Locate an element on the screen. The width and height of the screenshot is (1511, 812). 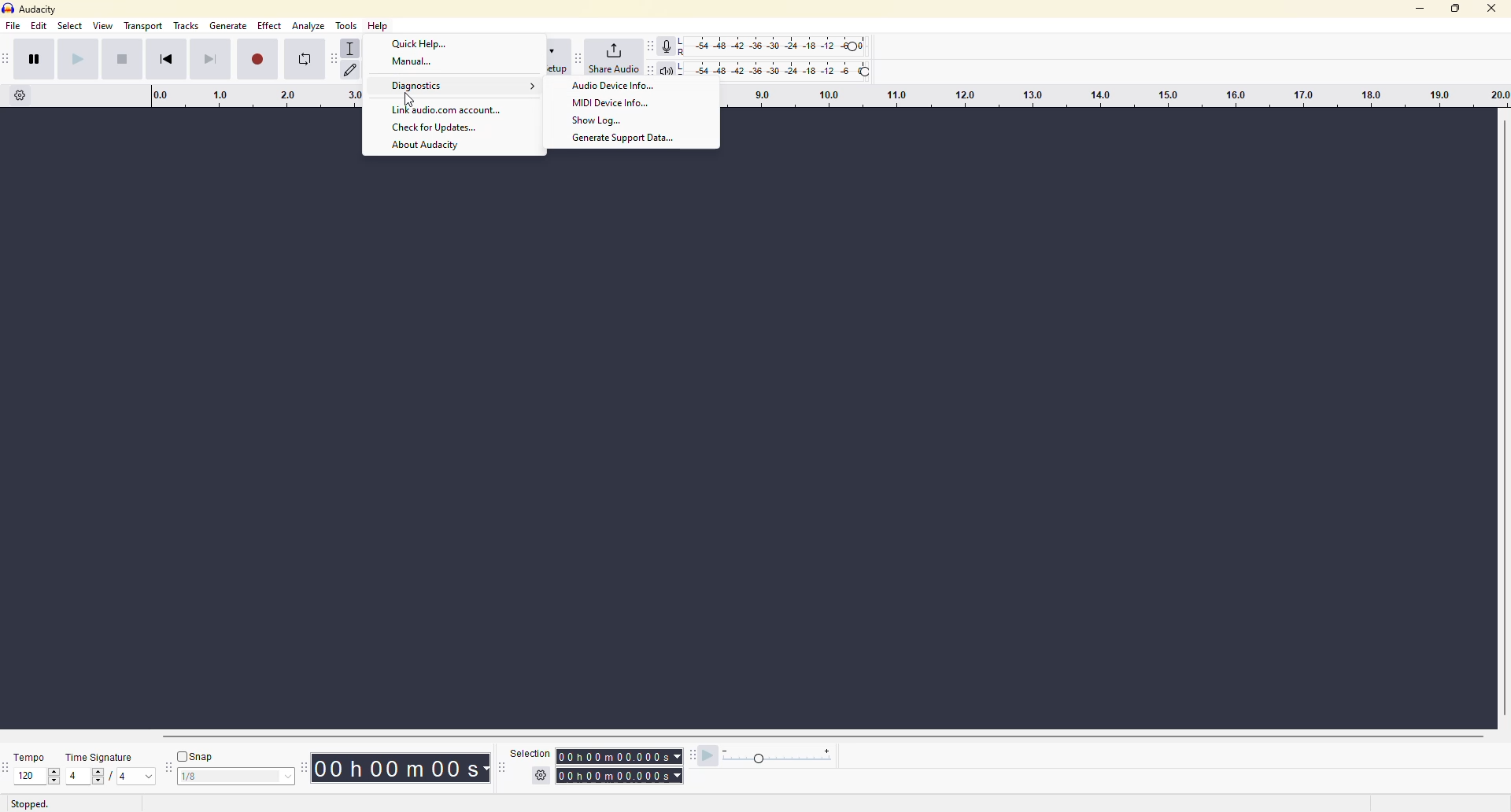
draw tool is located at coordinates (352, 69).